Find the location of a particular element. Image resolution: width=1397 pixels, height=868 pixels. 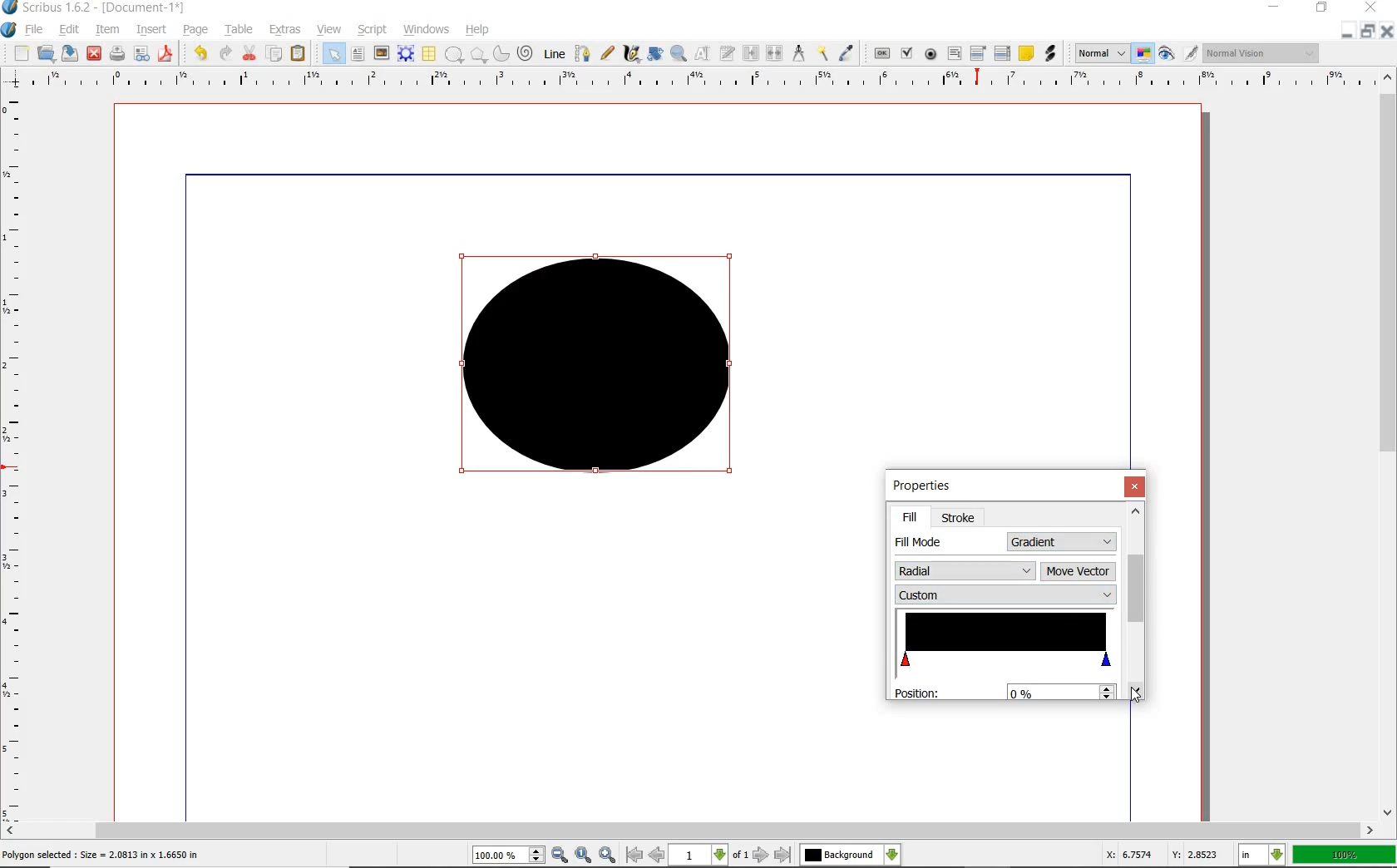

PDF RADIO BUTTON is located at coordinates (931, 53).